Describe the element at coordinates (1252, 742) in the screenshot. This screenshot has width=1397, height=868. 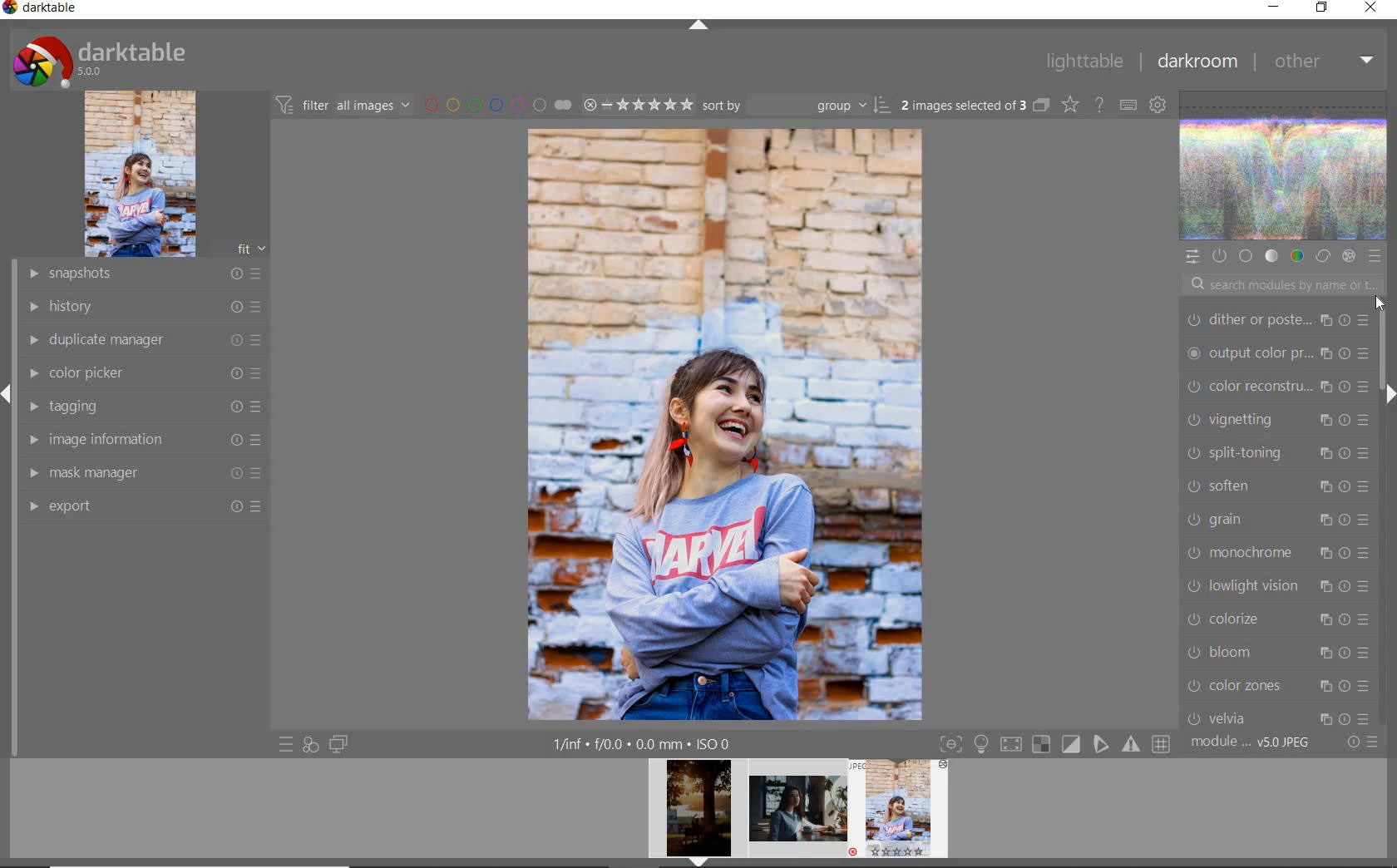
I see `module order` at that location.